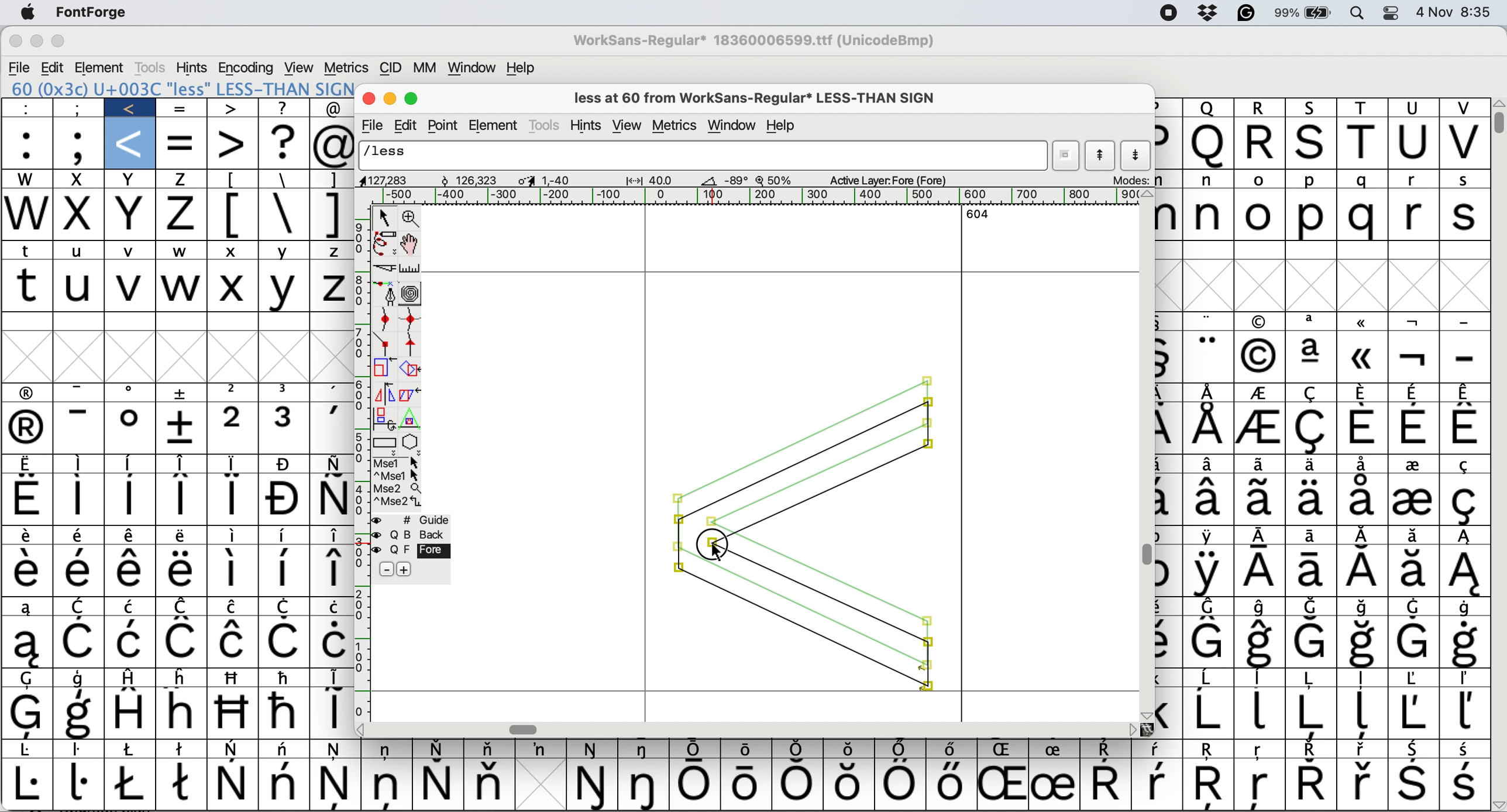 The width and height of the screenshot is (1507, 812). What do you see at coordinates (411, 240) in the screenshot?
I see `scroll by hand` at bounding box center [411, 240].